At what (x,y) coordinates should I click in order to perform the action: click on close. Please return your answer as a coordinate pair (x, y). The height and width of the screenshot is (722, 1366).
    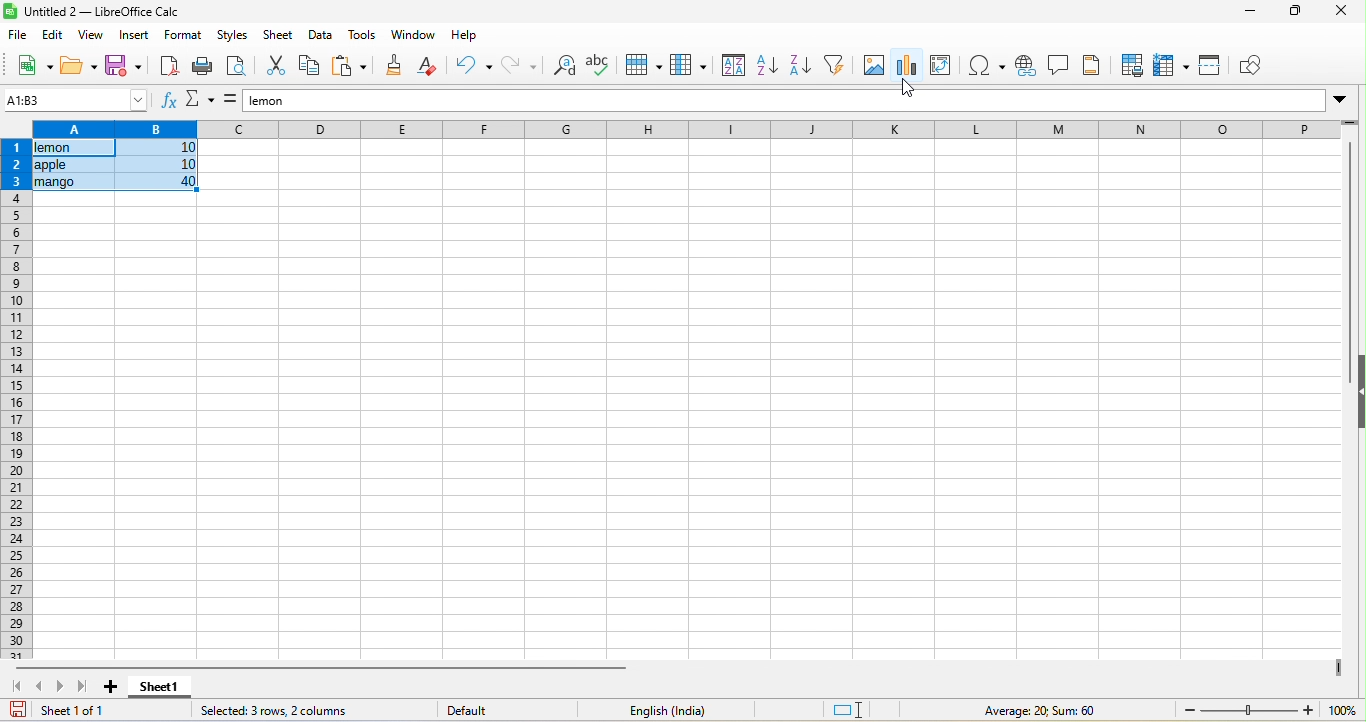
    Looking at the image, I should click on (1337, 13).